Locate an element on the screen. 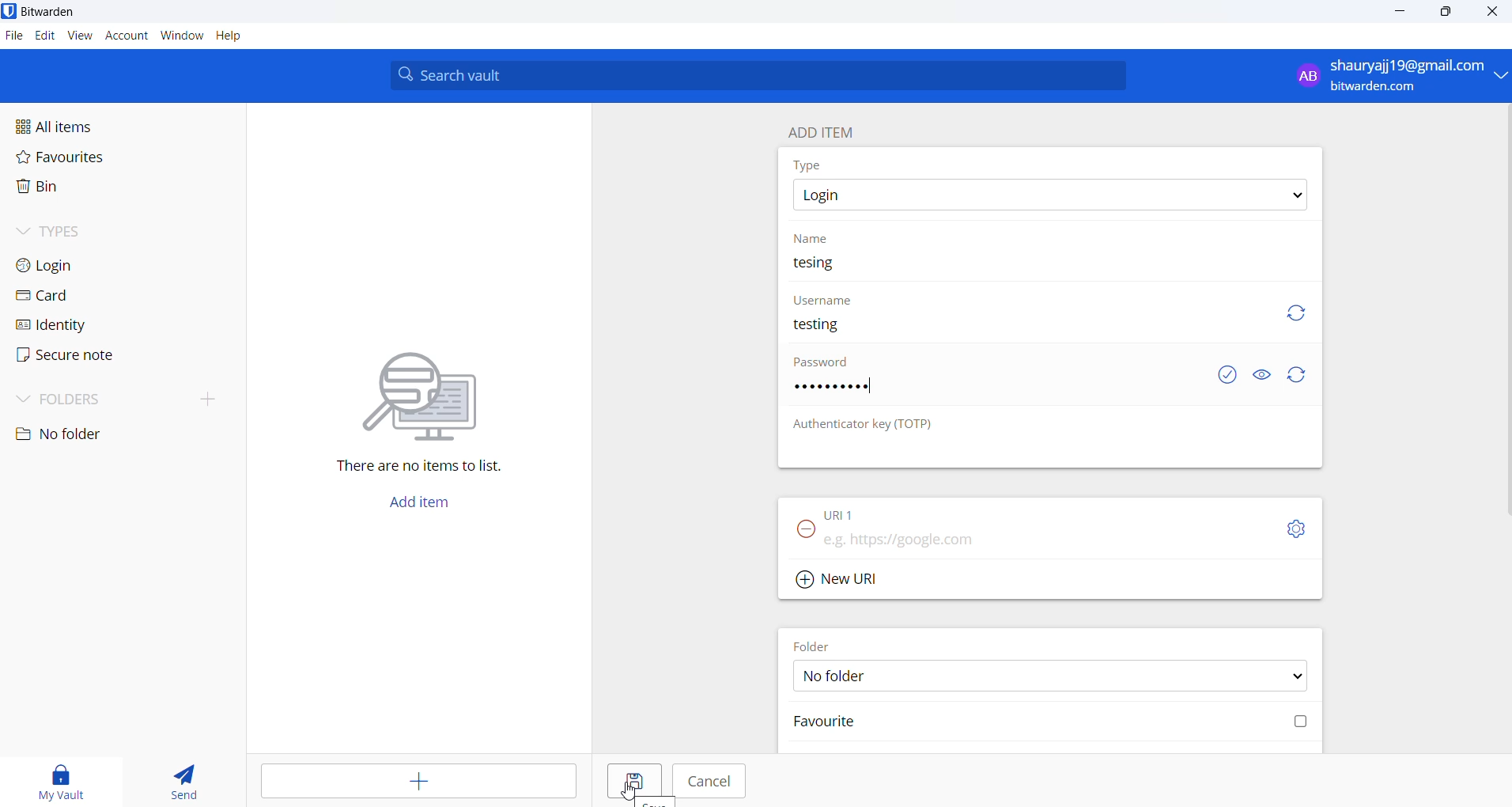  Name text box is located at coordinates (1042, 267).